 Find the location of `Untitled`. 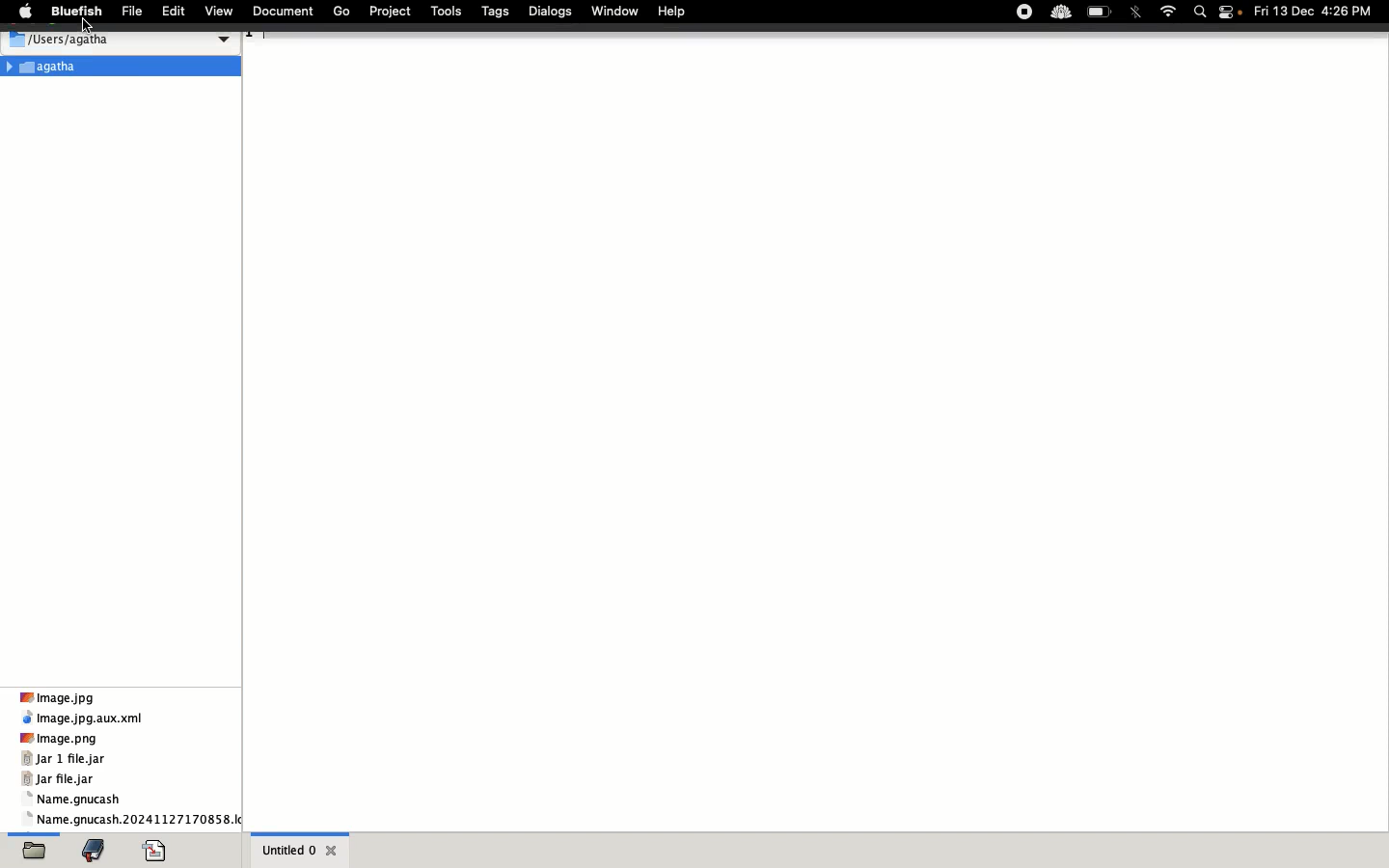

Untitled is located at coordinates (301, 849).